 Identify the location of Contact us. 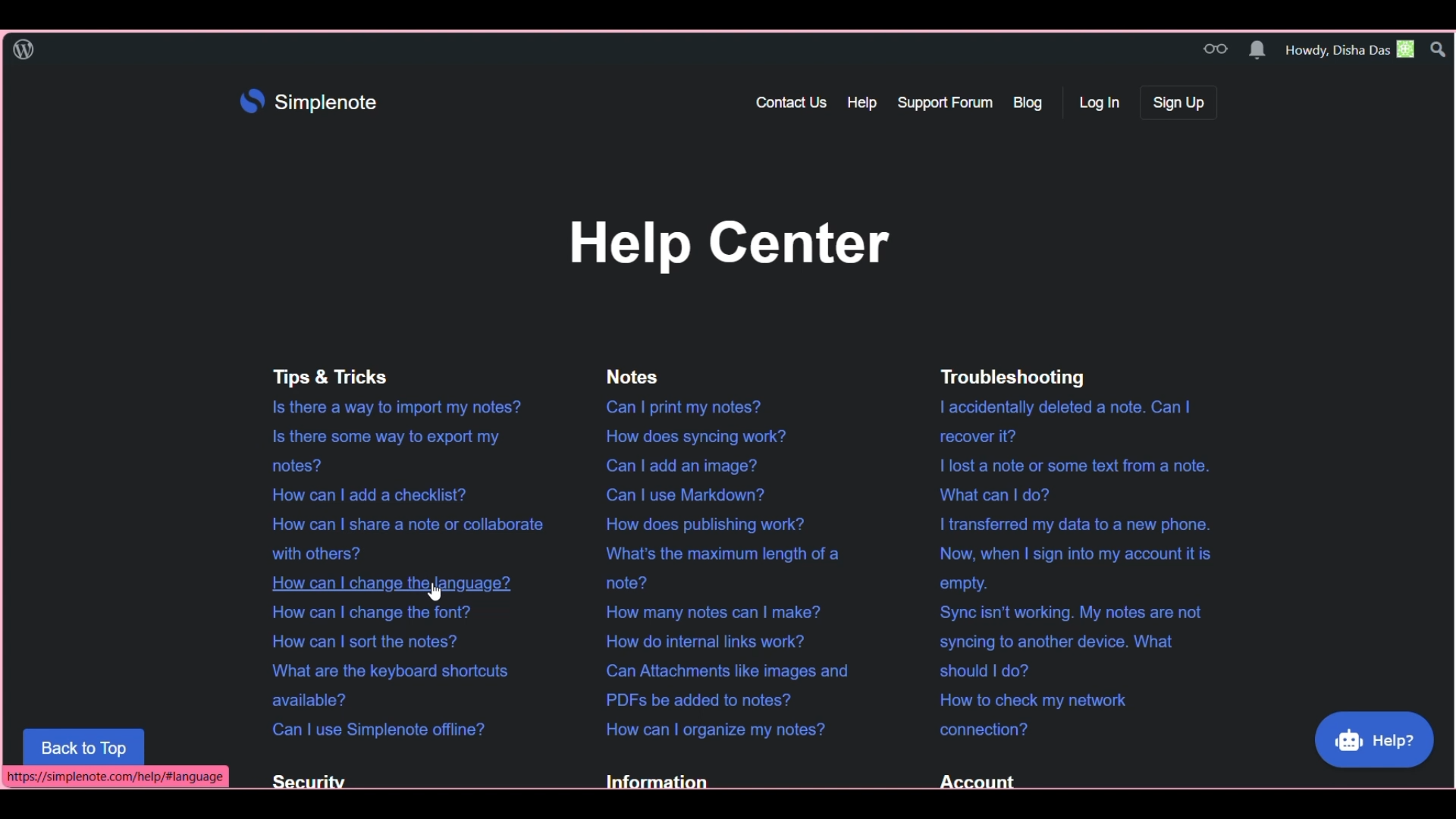
(793, 102).